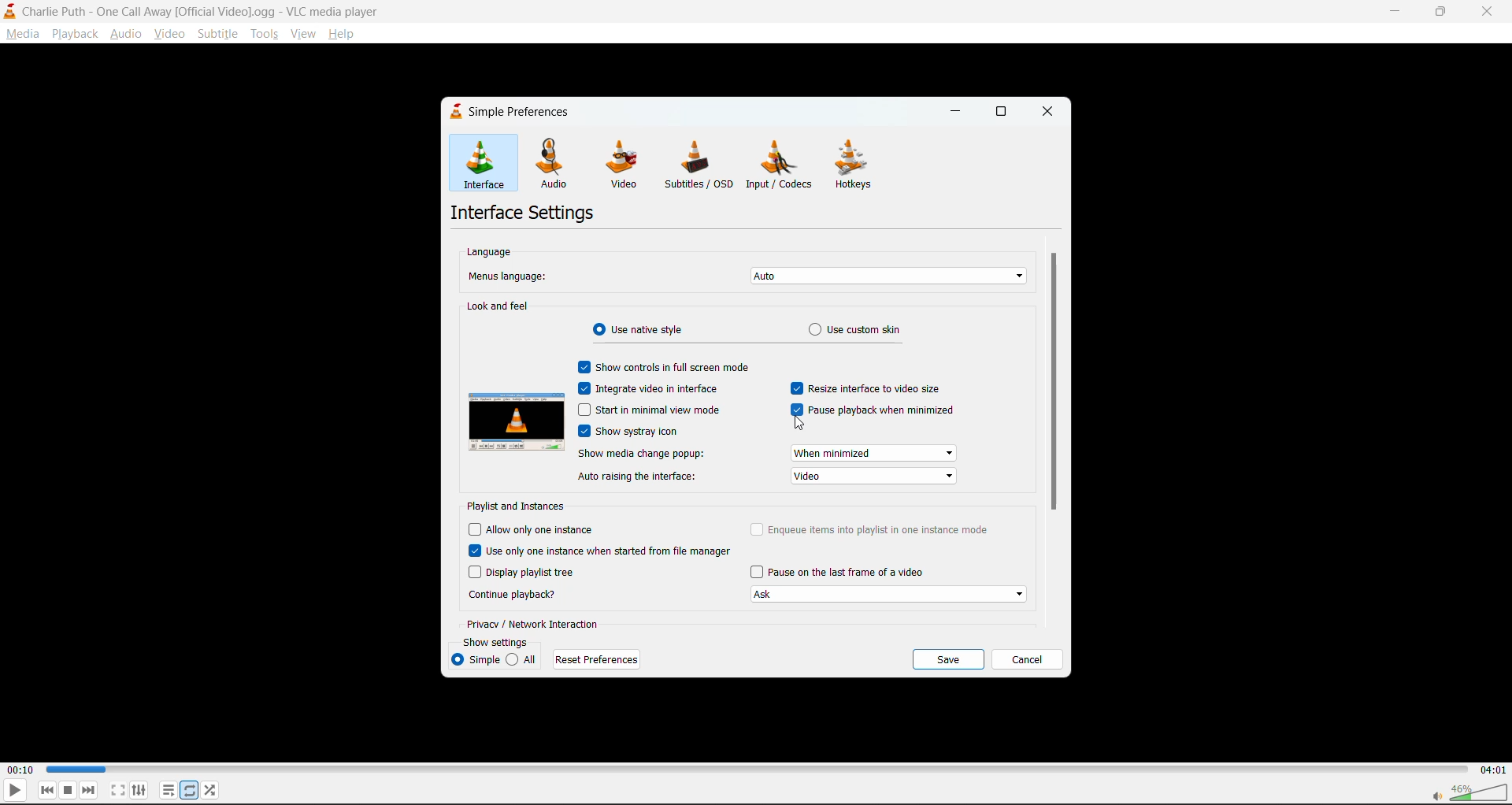 The width and height of the screenshot is (1512, 805). Describe the element at coordinates (661, 410) in the screenshot. I see `start in minimal view` at that location.